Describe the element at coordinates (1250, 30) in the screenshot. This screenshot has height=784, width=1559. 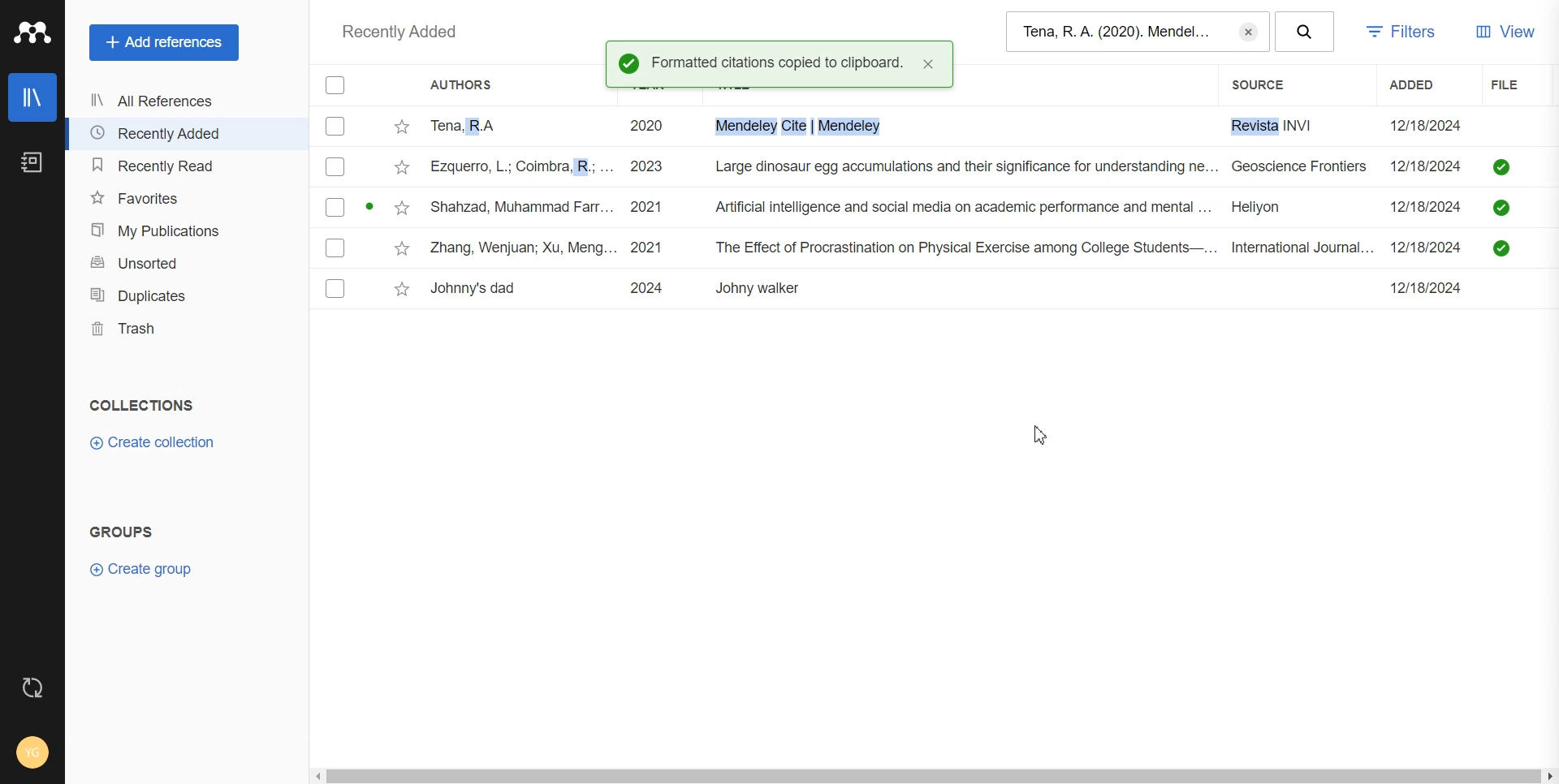
I see `Erase` at that location.